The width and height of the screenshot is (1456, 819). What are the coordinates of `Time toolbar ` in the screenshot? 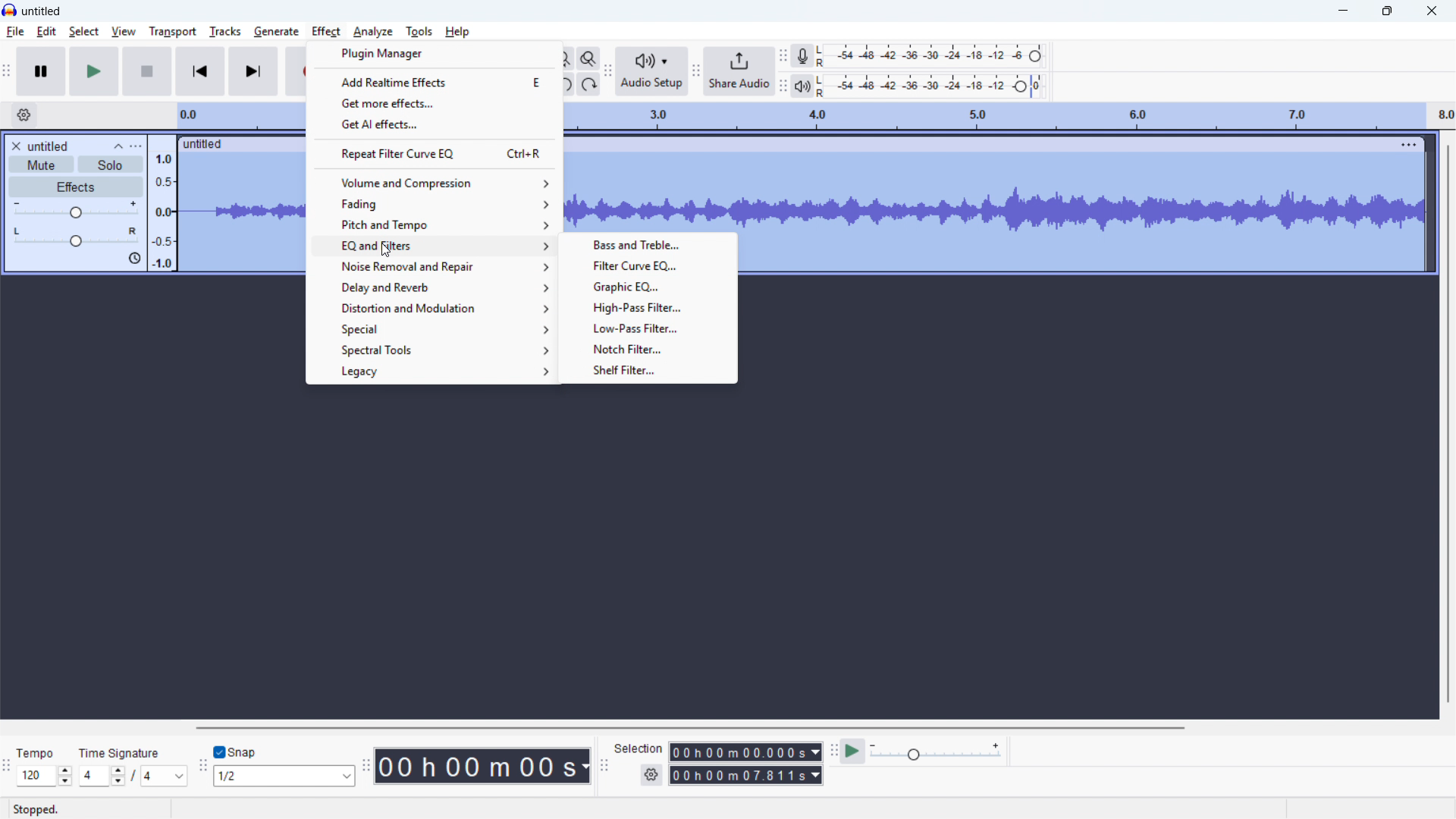 It's located at (367, 767).